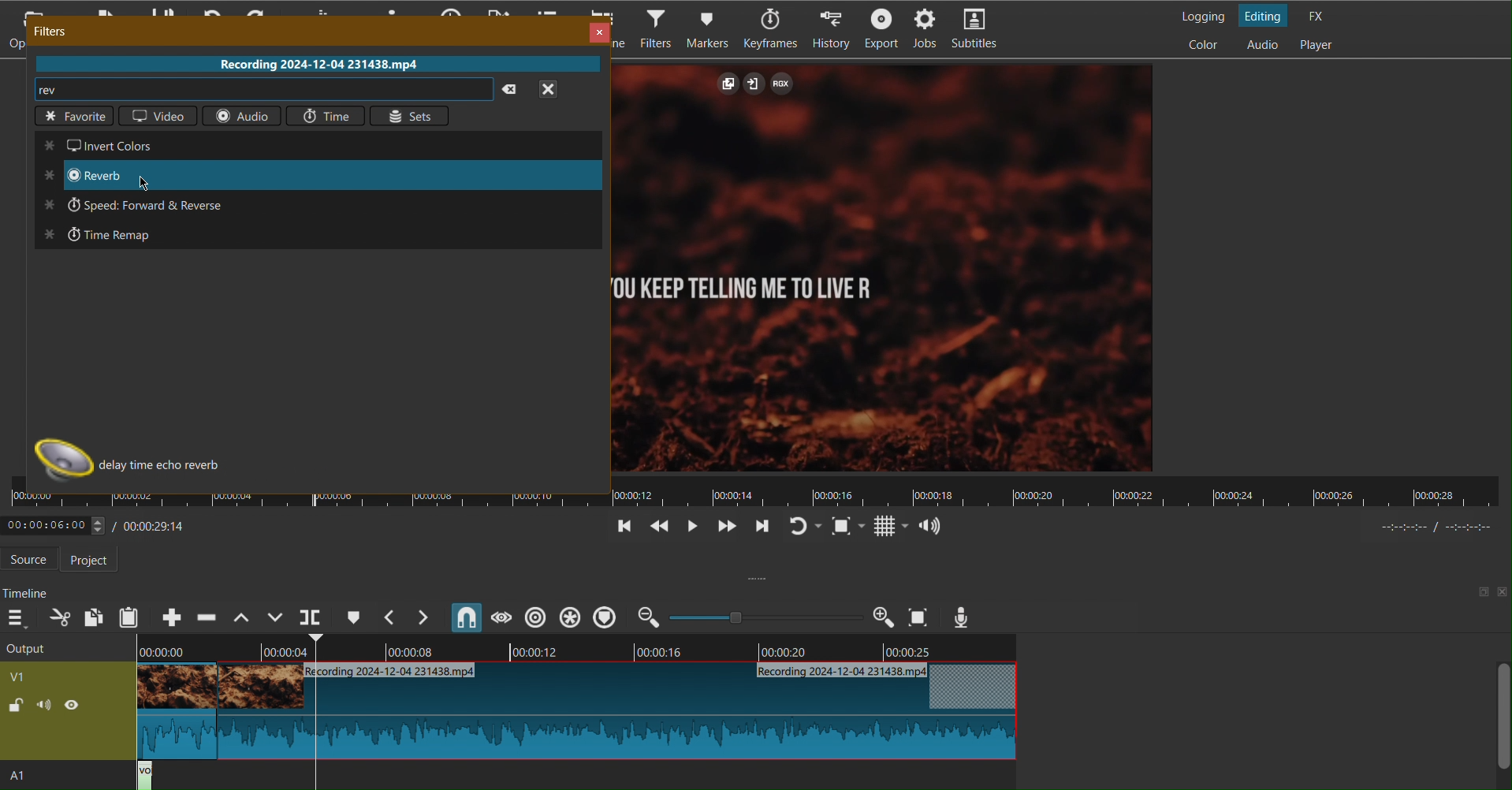  What do you see at coordinates (275, 617) in the screenshot?
I see `Overwrite` at bounding box center [275, 617].